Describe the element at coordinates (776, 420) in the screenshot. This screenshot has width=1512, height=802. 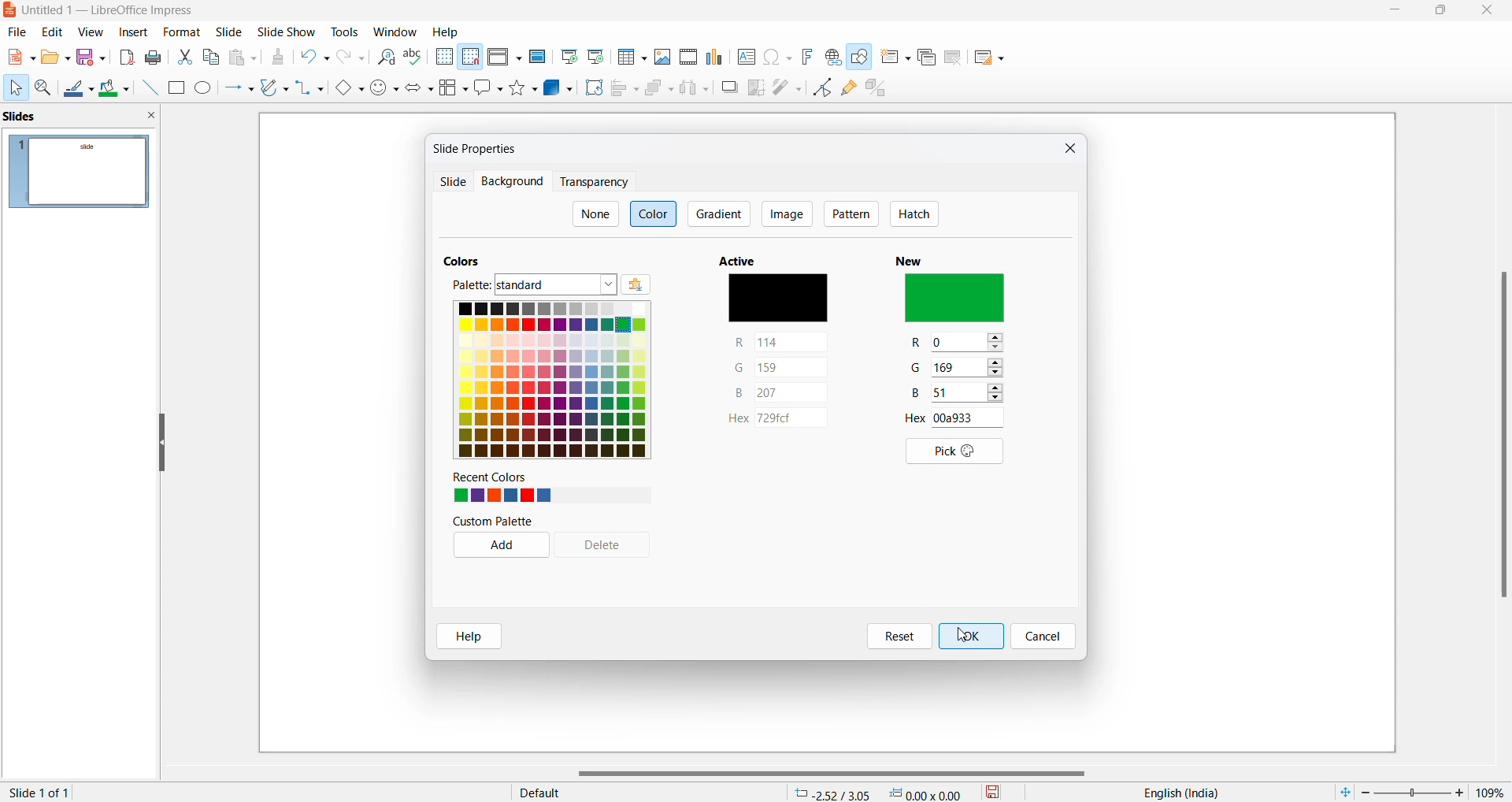
I see `hex` at that location.